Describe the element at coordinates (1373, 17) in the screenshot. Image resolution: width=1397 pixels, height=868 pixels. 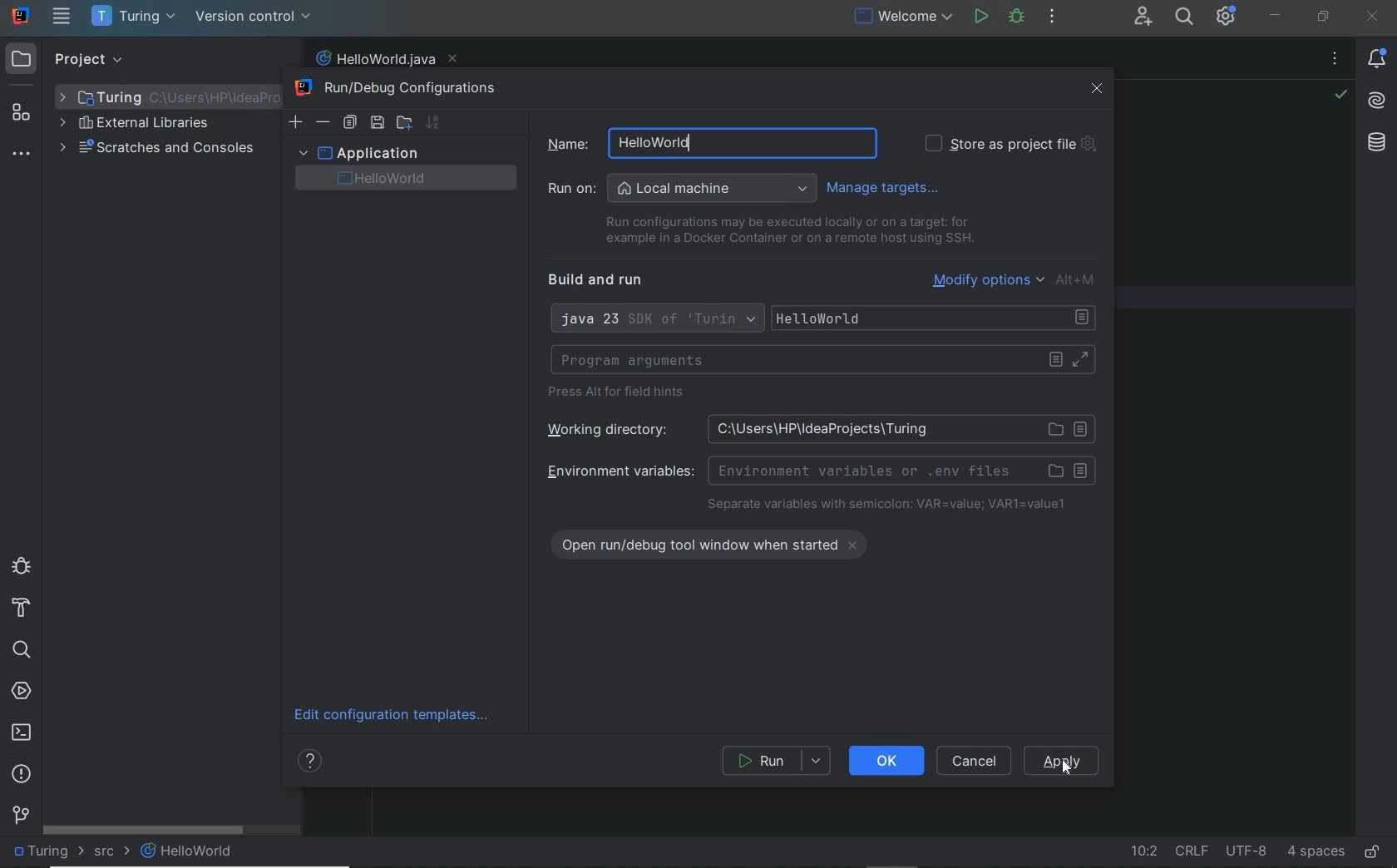
I see `CLOSE` at that location.